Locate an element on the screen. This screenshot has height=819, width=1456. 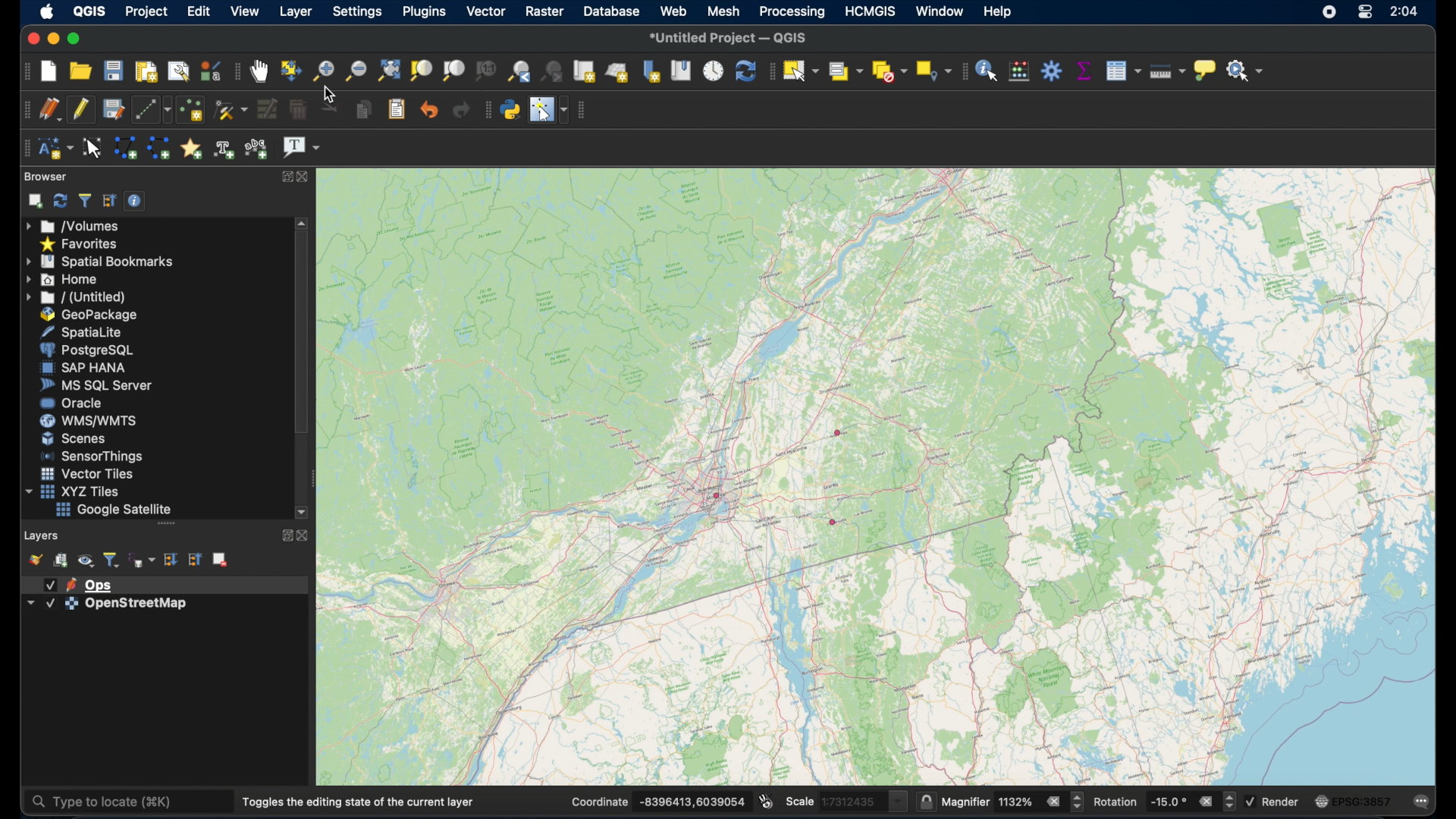
layer  is located at coordinates (77, 584).